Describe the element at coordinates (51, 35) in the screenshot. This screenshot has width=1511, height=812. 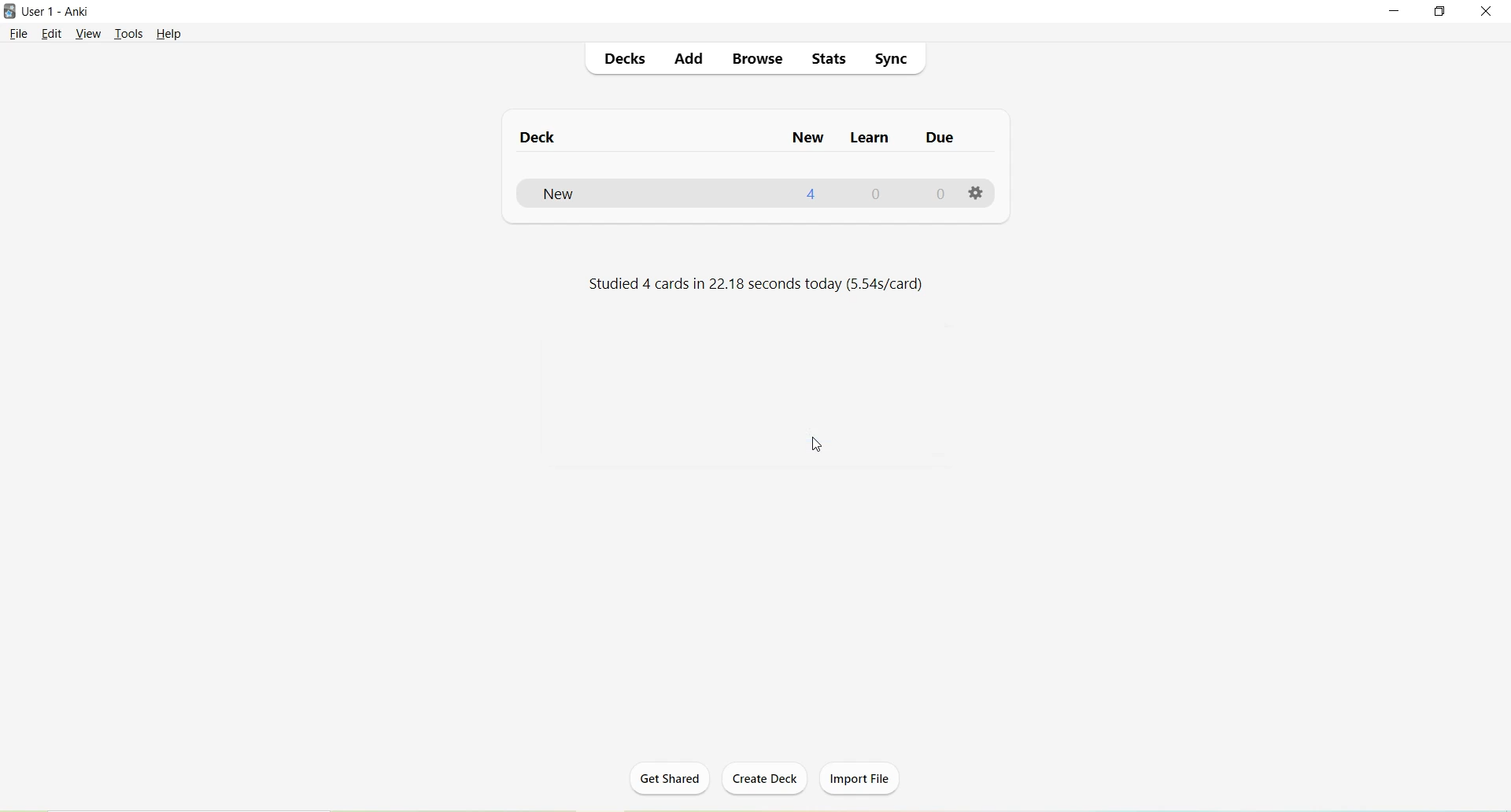
I see `Edit` at that location.